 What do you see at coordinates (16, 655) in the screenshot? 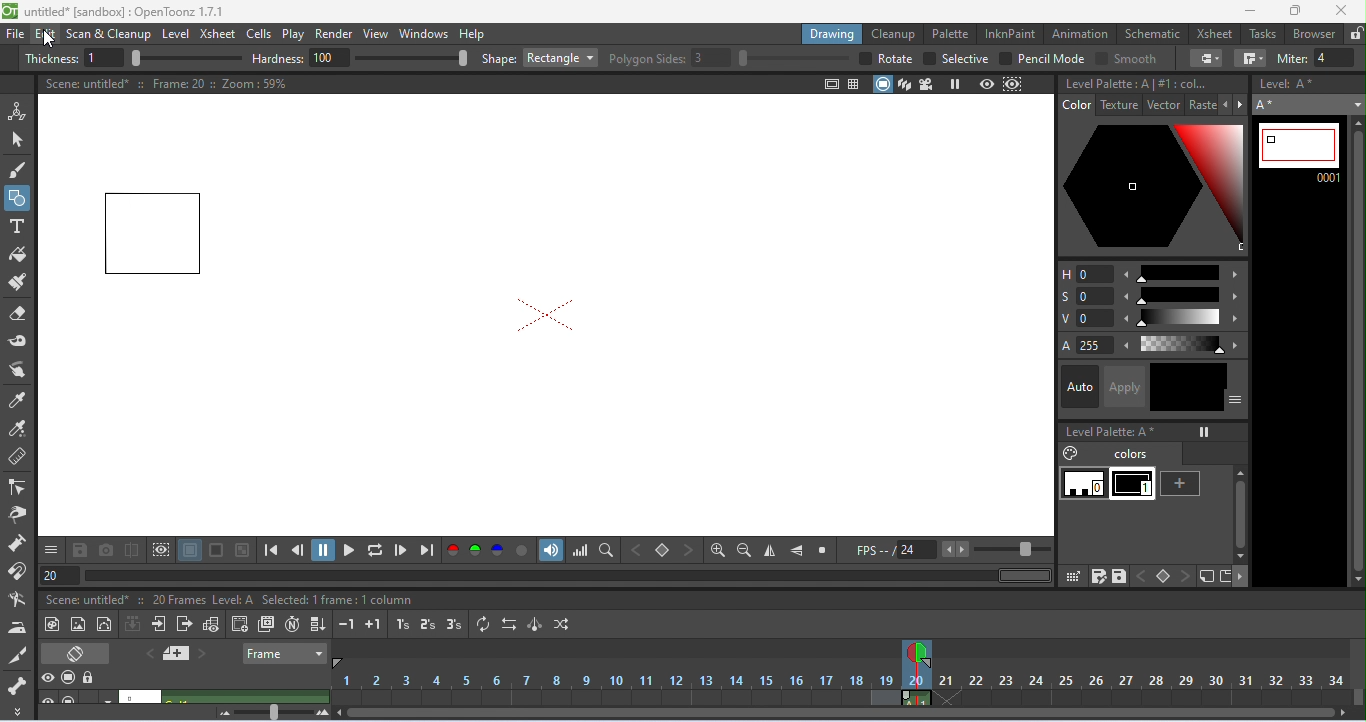
I see `cutter` at bounding box center [16, 655].